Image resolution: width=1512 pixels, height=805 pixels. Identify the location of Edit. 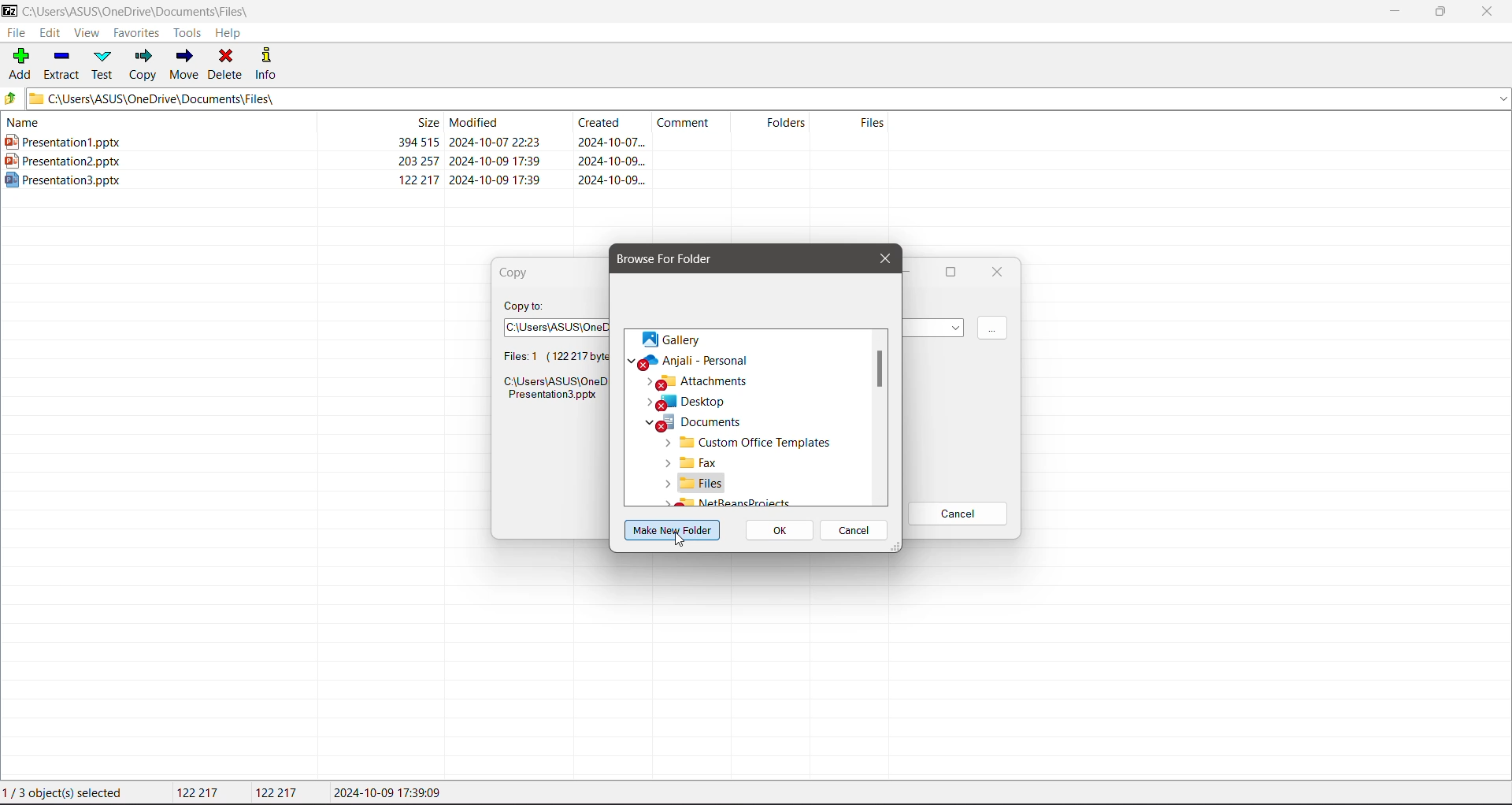
(50, 33).